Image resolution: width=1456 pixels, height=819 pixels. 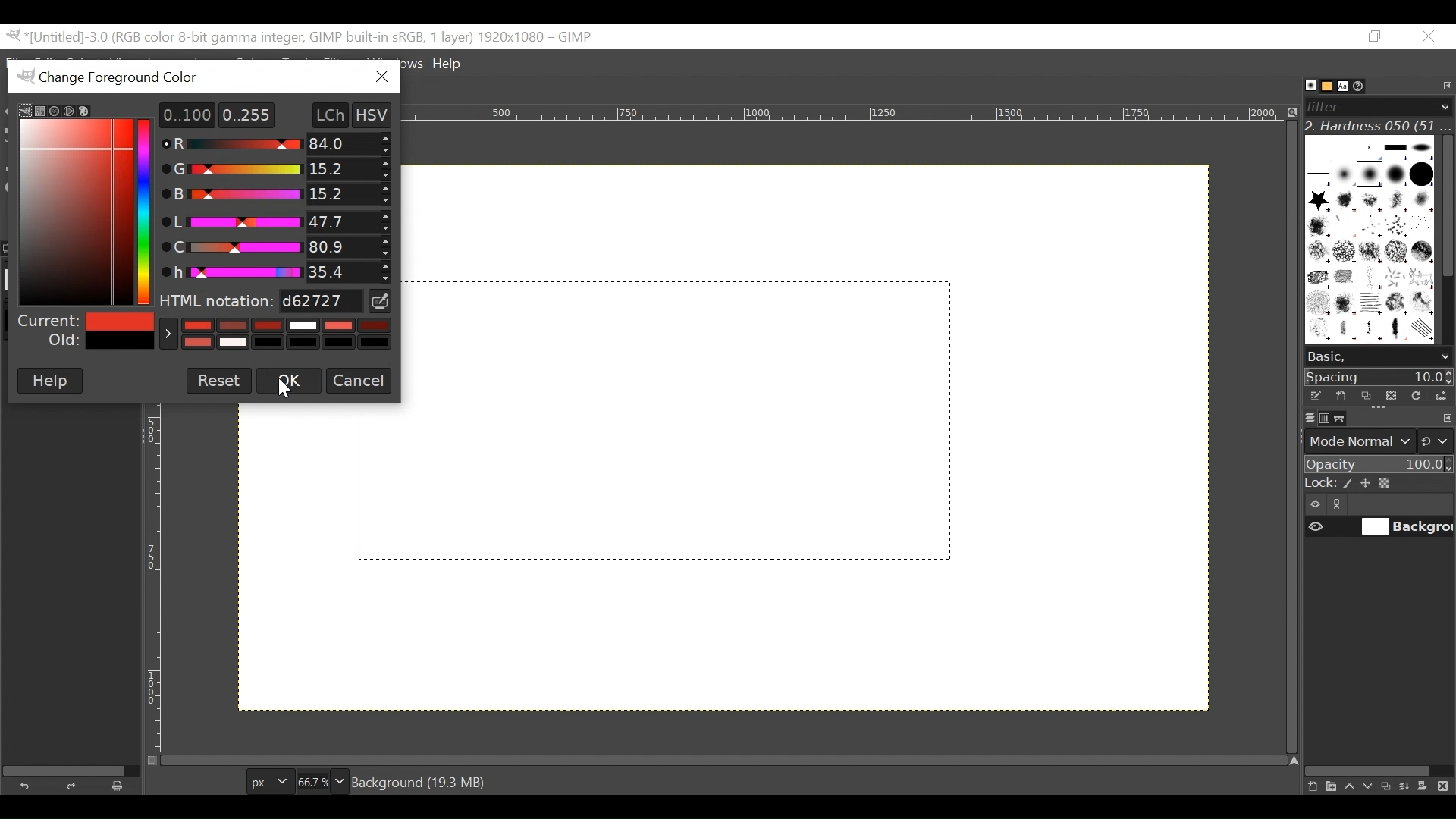 What do you see at coordinates (1408, 786) in the screenshot?
I see `merge the layer` at bounding box center [1408, 786].